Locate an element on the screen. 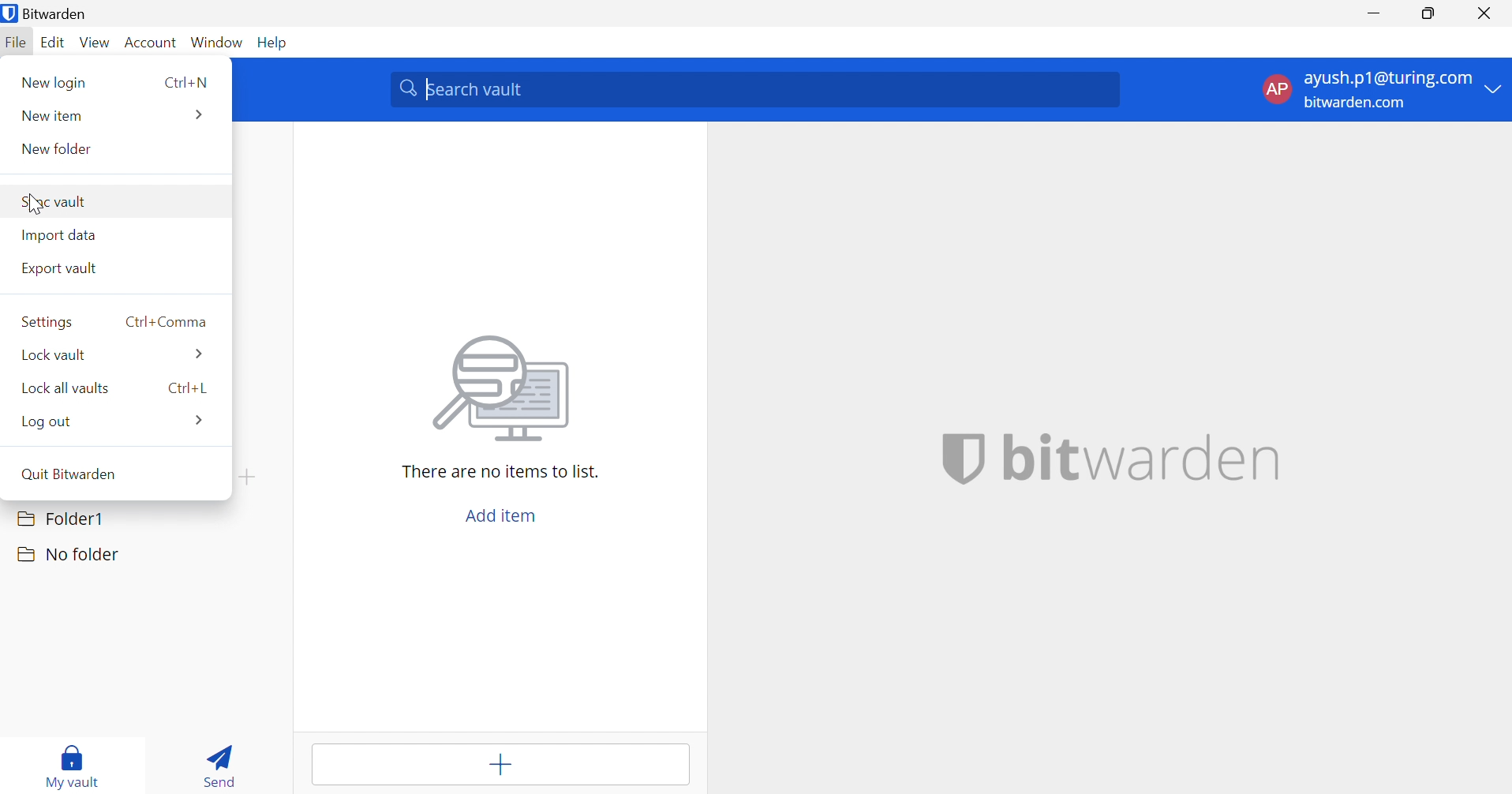 Image resolution: width=1512 pixels, height=794 pixels. Search Vault is located at coordinates (758, 90).